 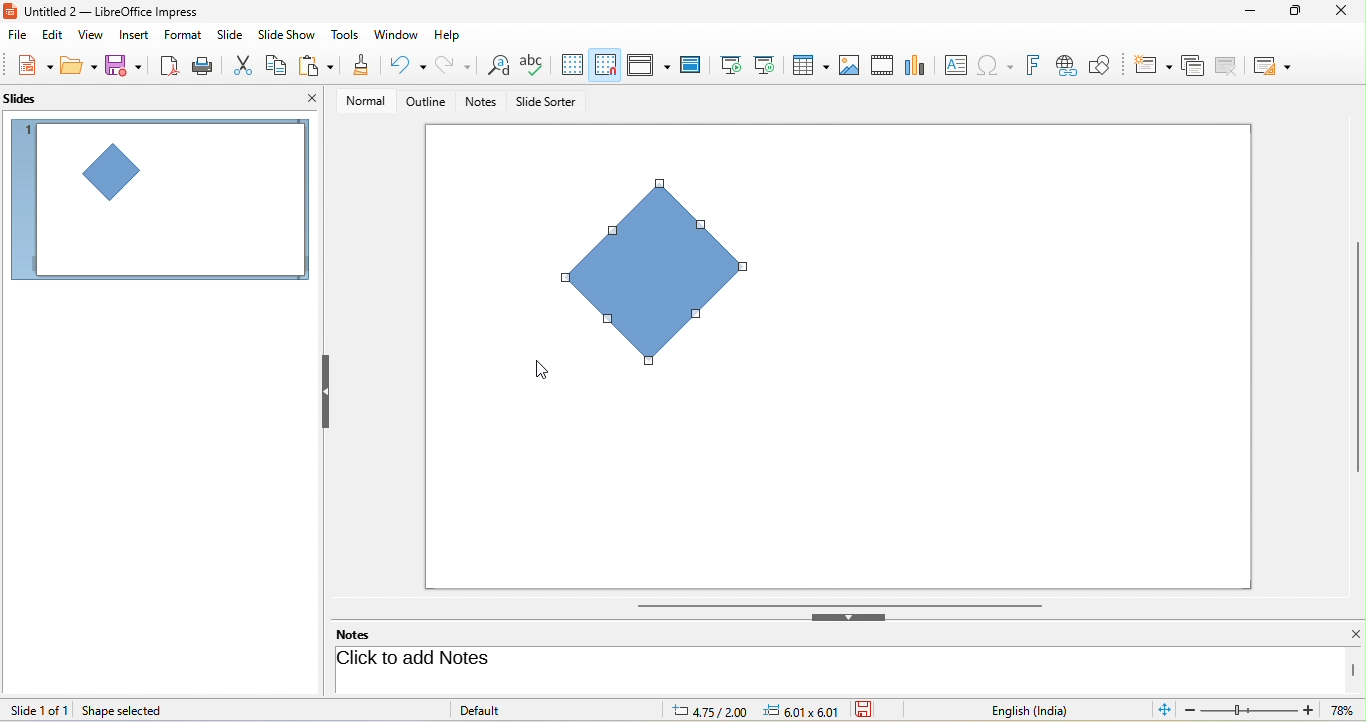 What do you see at coordinates (1166, 710) in the screenshot?
I see `fit slide to current window` at bounding box center [1166, 710].